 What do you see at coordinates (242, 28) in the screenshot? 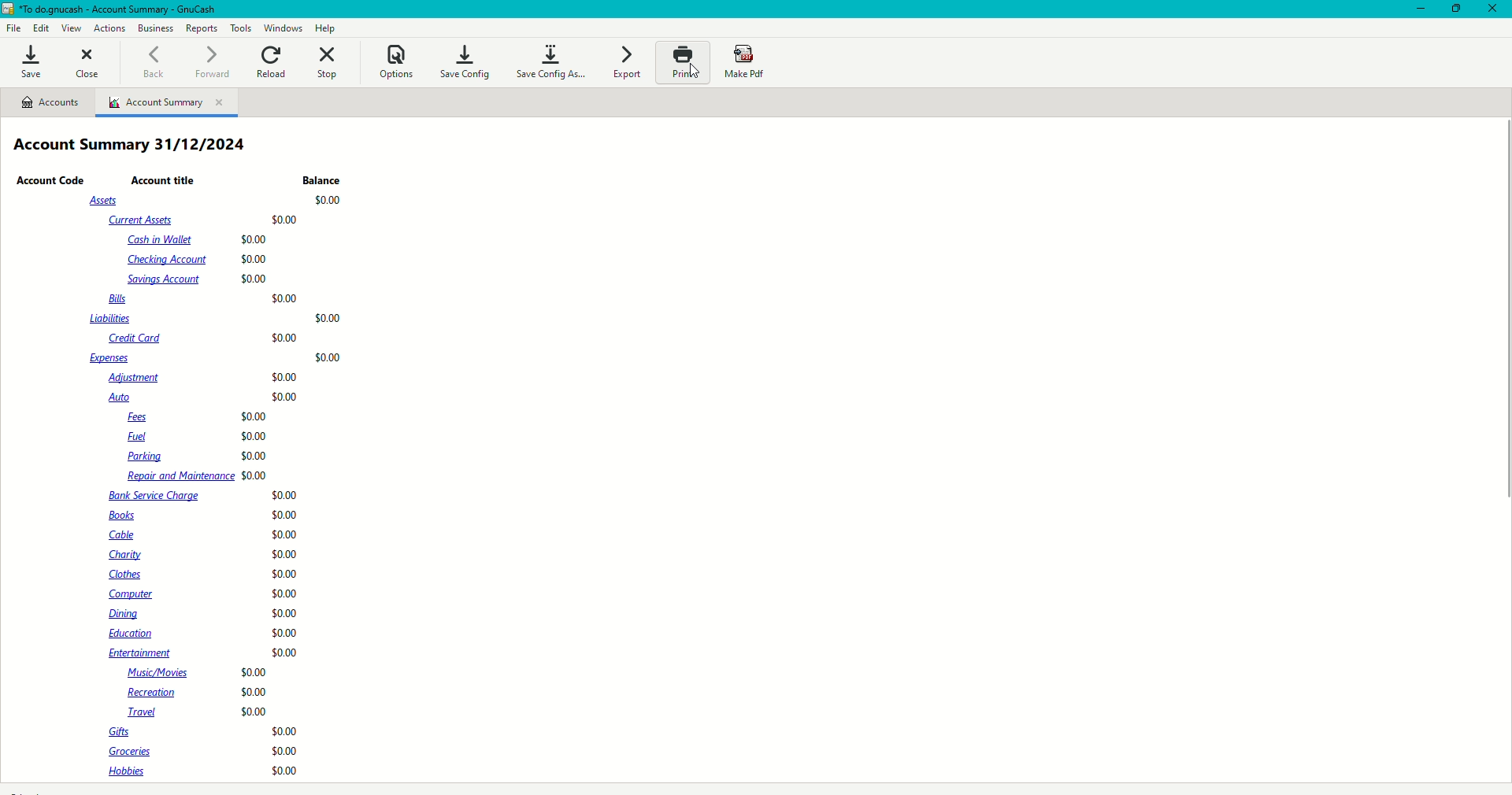
I see `Tools` at bounding box center [242, 28].